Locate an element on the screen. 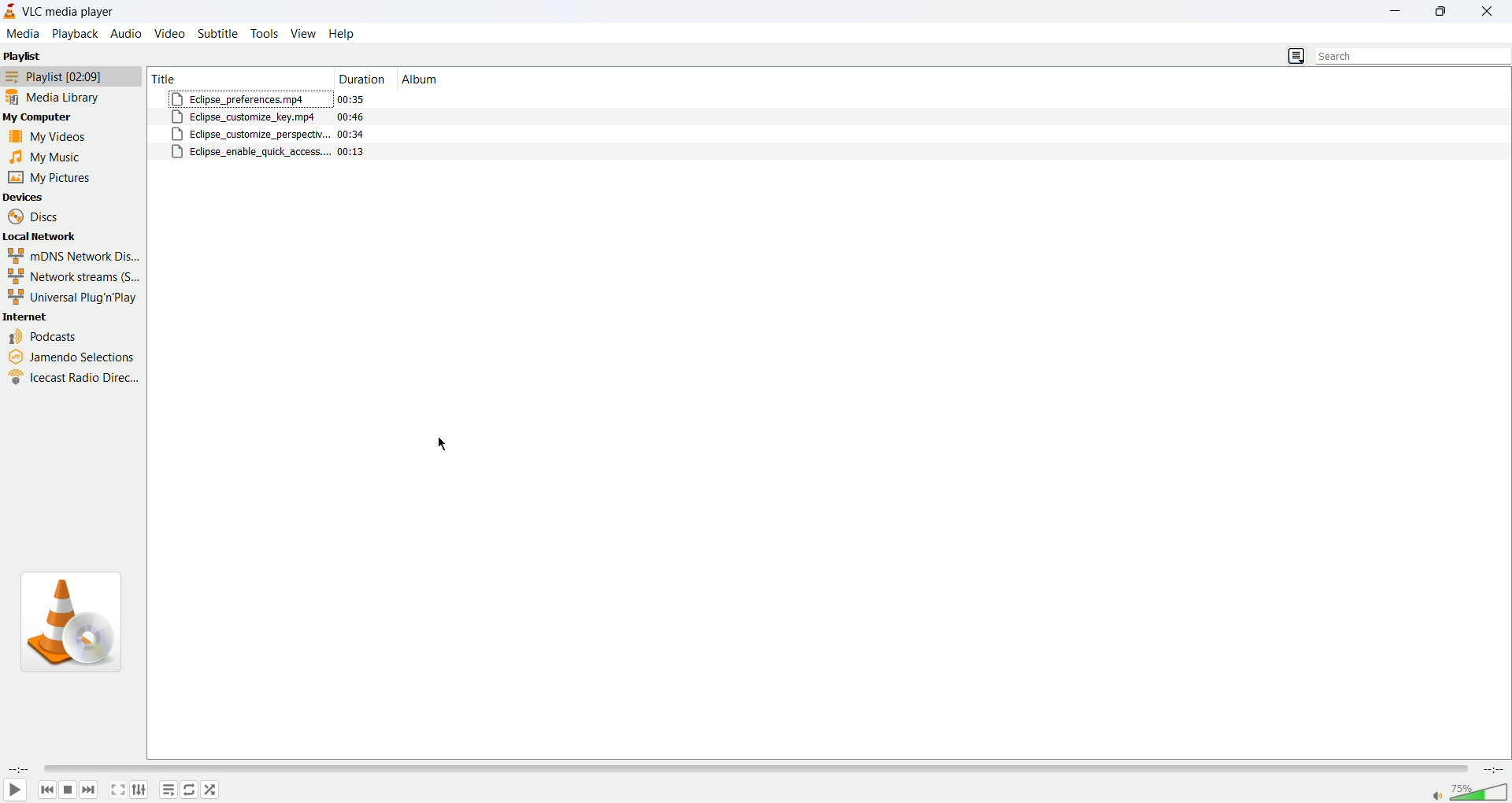 Image resolution: width=1512 pixels, height=803 pixels. VLC media player is located at coordinates (69, 12).